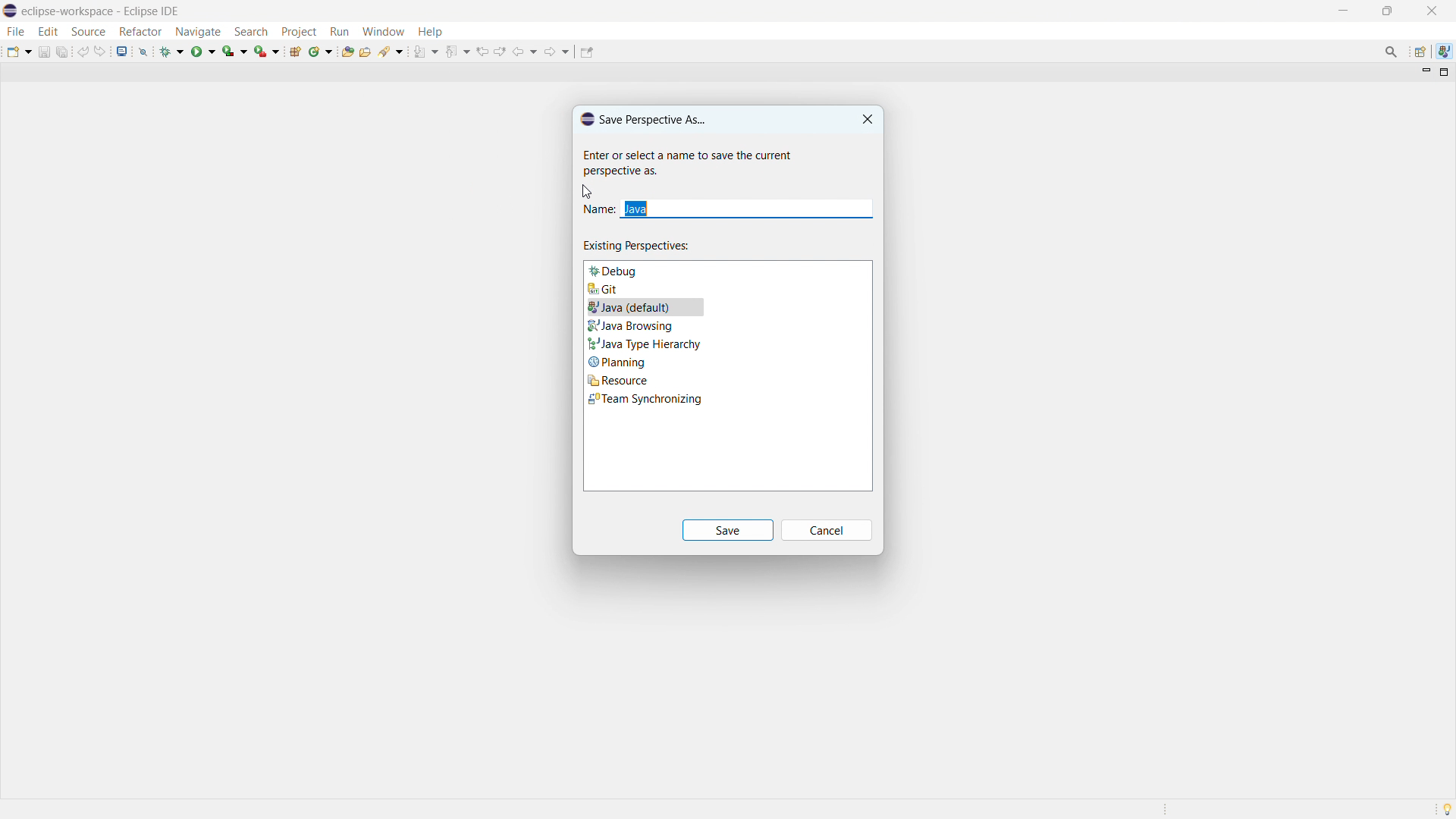 This screenshot has height=819, width=1456. I want to click on save, so click(728, 530).